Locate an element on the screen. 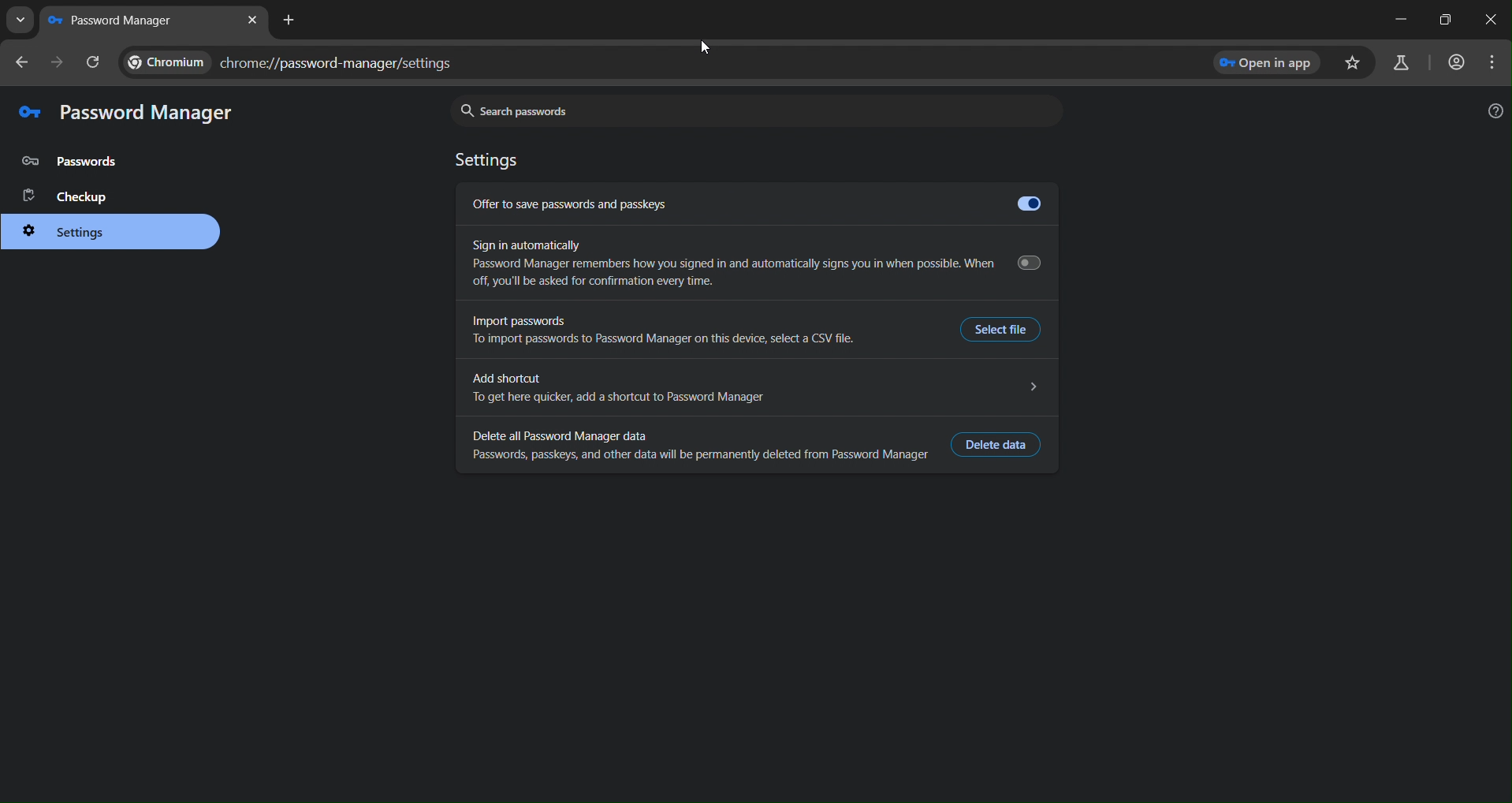 Image resolution: width=1512 pixels, height=803 pixels. minimize is located at coordinates (1398, 19).